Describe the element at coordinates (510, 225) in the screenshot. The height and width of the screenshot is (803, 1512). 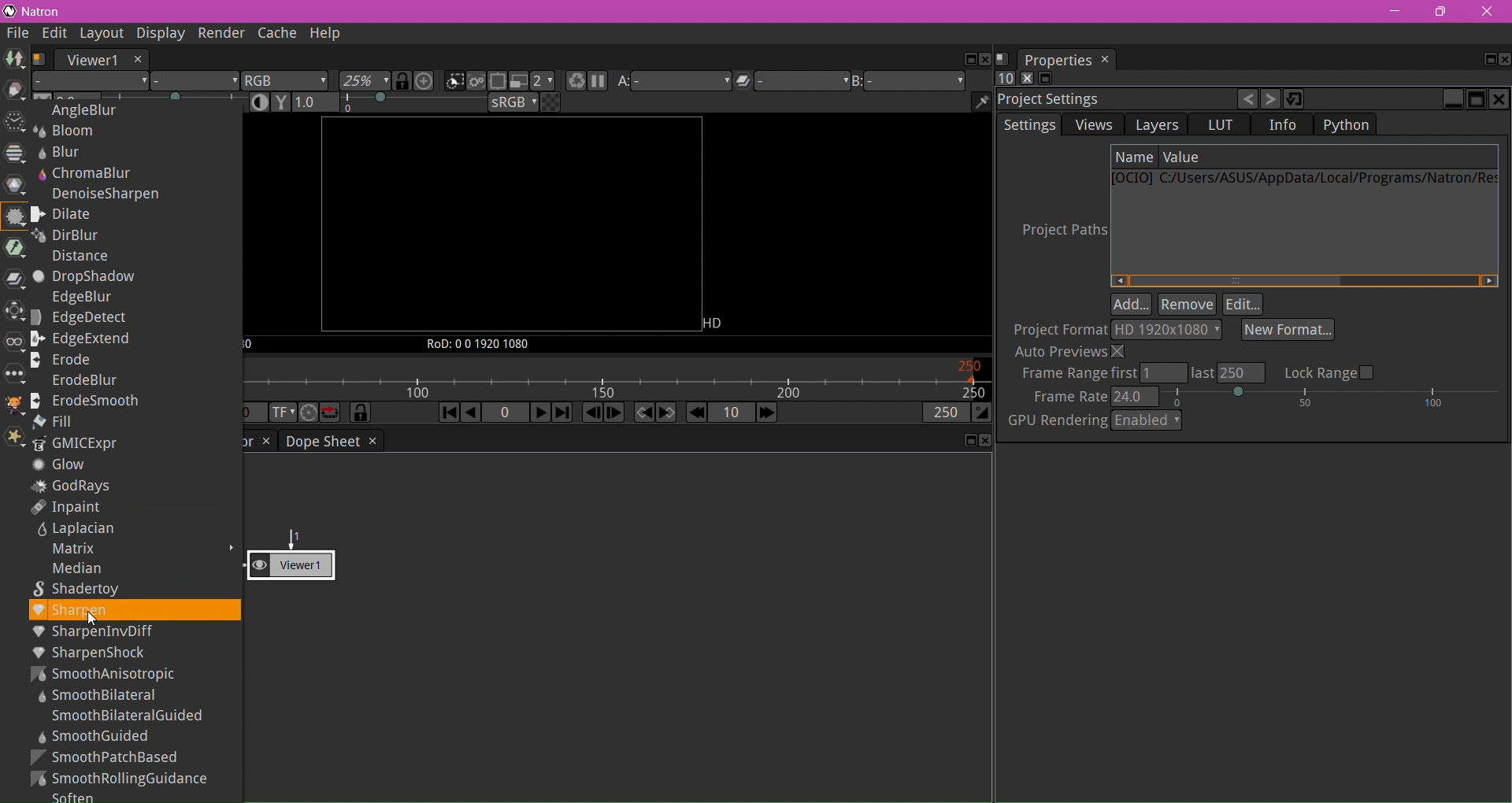
I see `Image farme` at that location.